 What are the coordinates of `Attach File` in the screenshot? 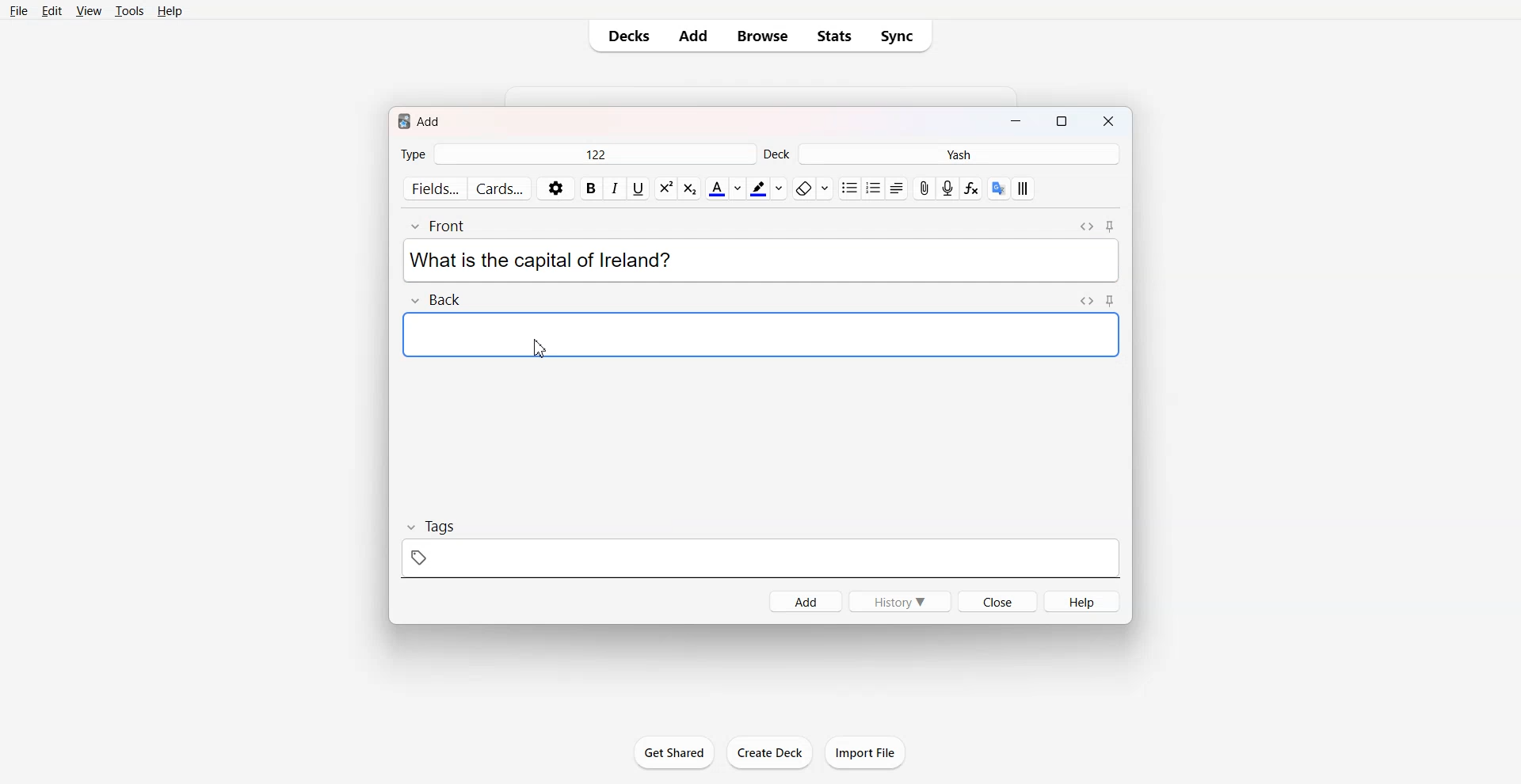 It's located at (924, 188).